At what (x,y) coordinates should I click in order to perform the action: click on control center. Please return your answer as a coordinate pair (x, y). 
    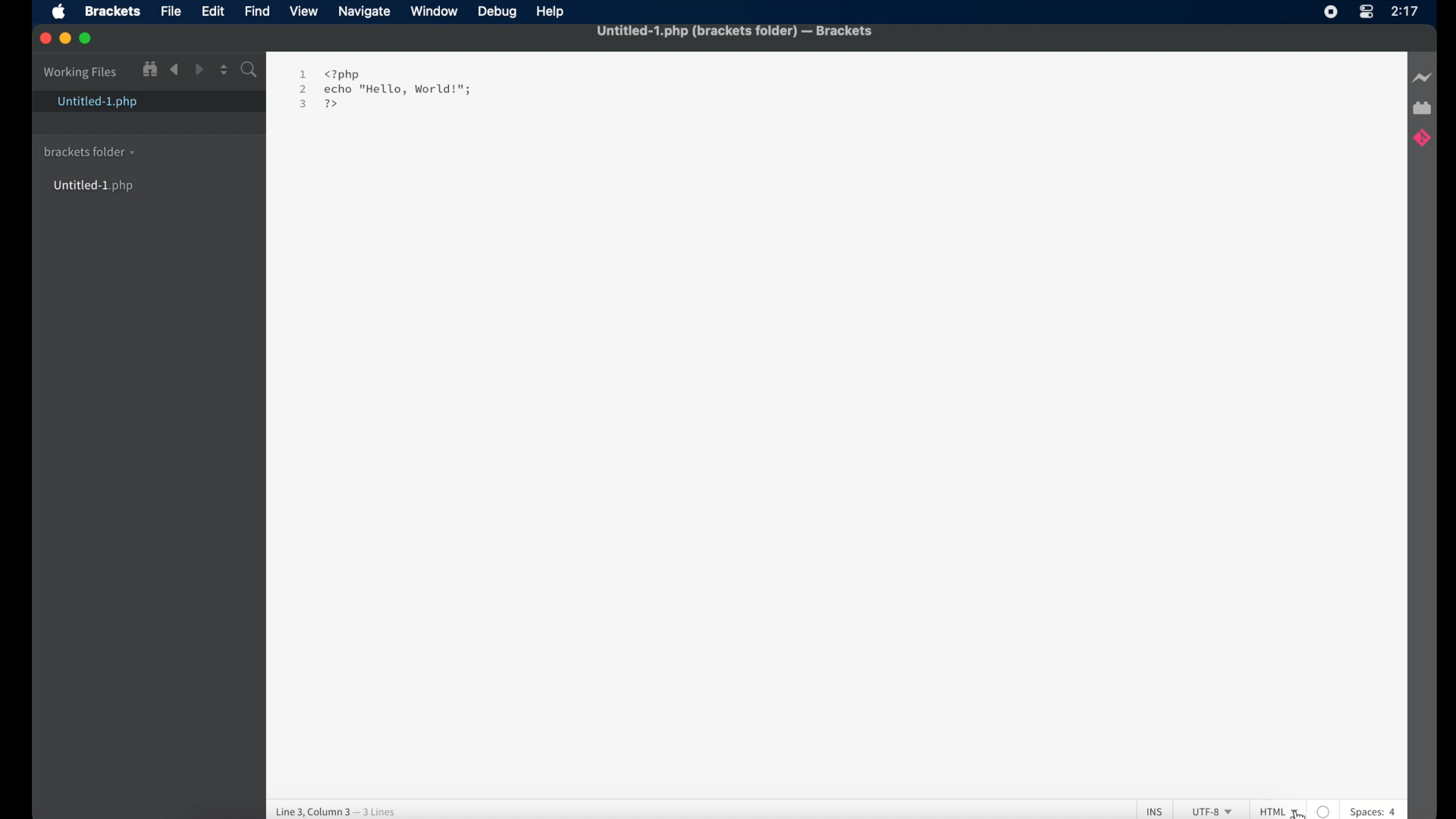
    Looking at the image, I should click on (1366, 13).